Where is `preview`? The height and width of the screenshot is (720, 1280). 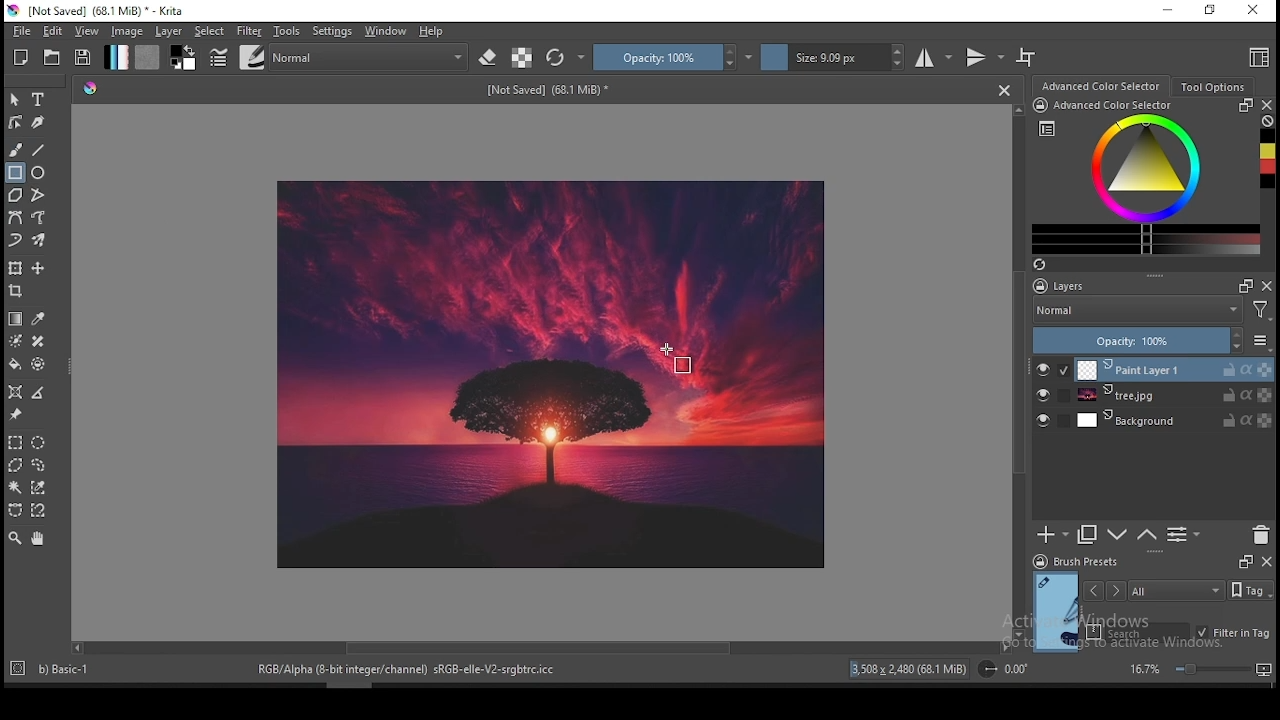 preview is located at coordinates (1054, 610).